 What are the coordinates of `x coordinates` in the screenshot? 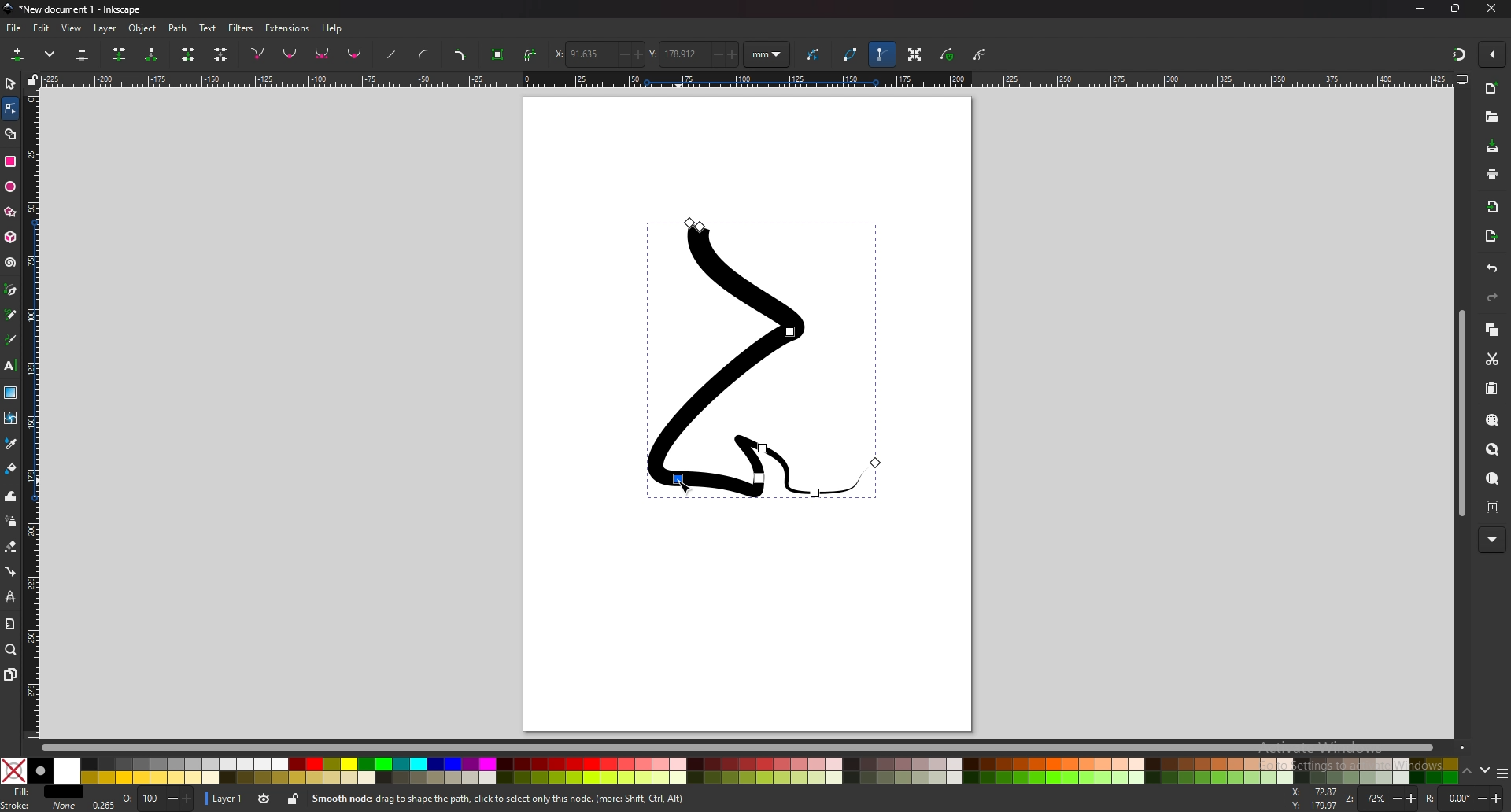 It's located at (599, 54).